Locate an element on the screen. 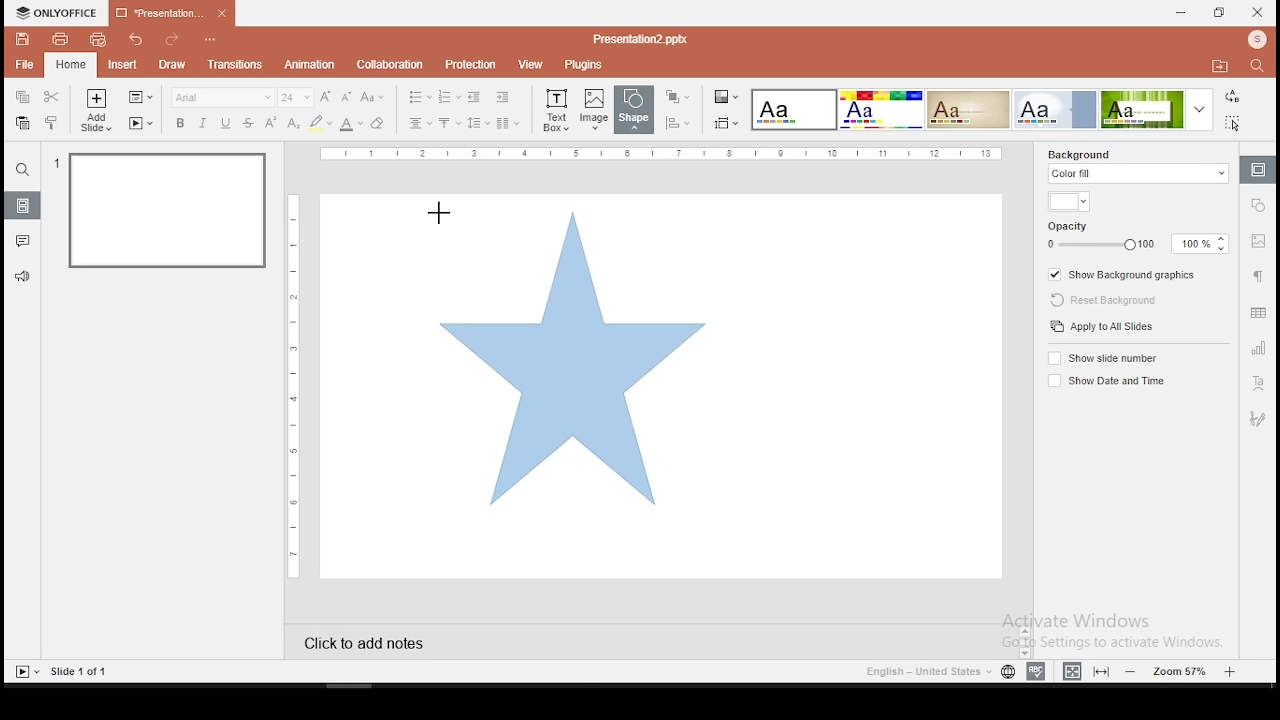 This screenshot has height=720, width=1280. plugins is located at coordinates (584, 66).